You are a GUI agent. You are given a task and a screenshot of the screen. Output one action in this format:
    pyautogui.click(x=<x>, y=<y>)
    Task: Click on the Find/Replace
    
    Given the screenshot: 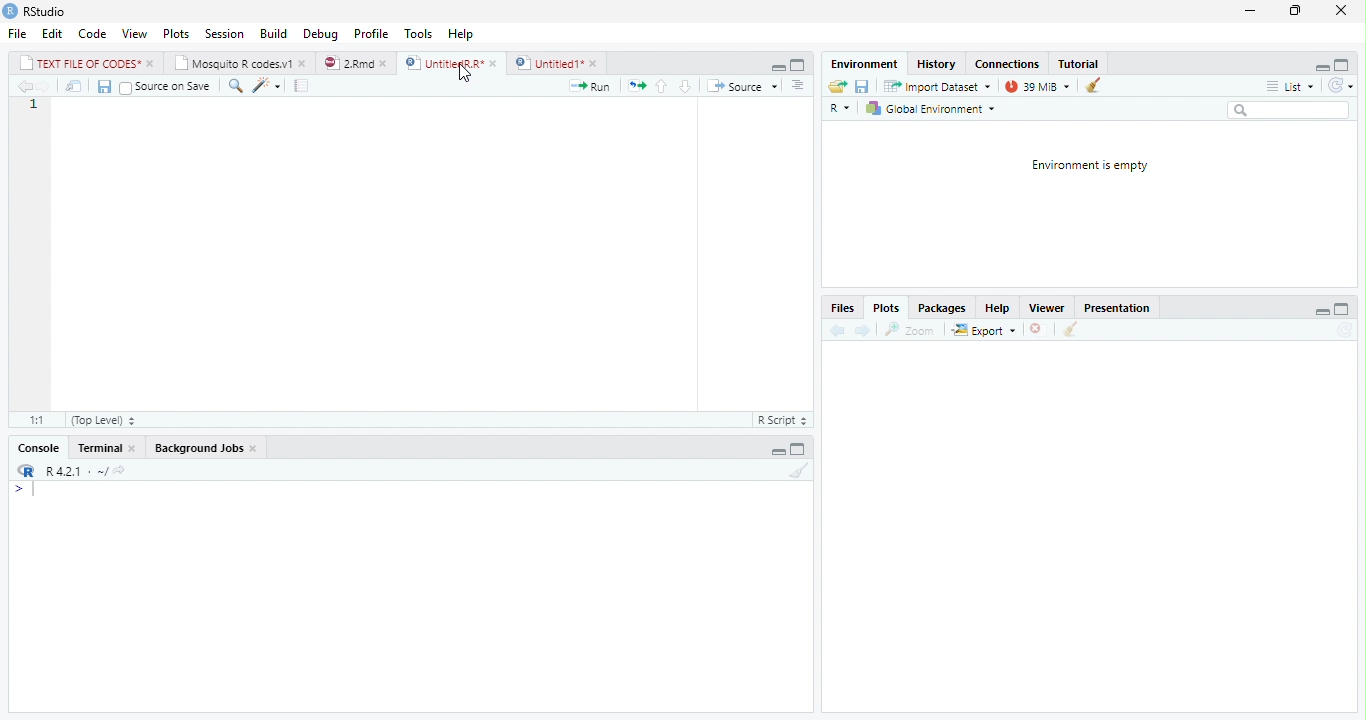 What is the action you would take?
    pyautogui.click(x=233, y=85)
    